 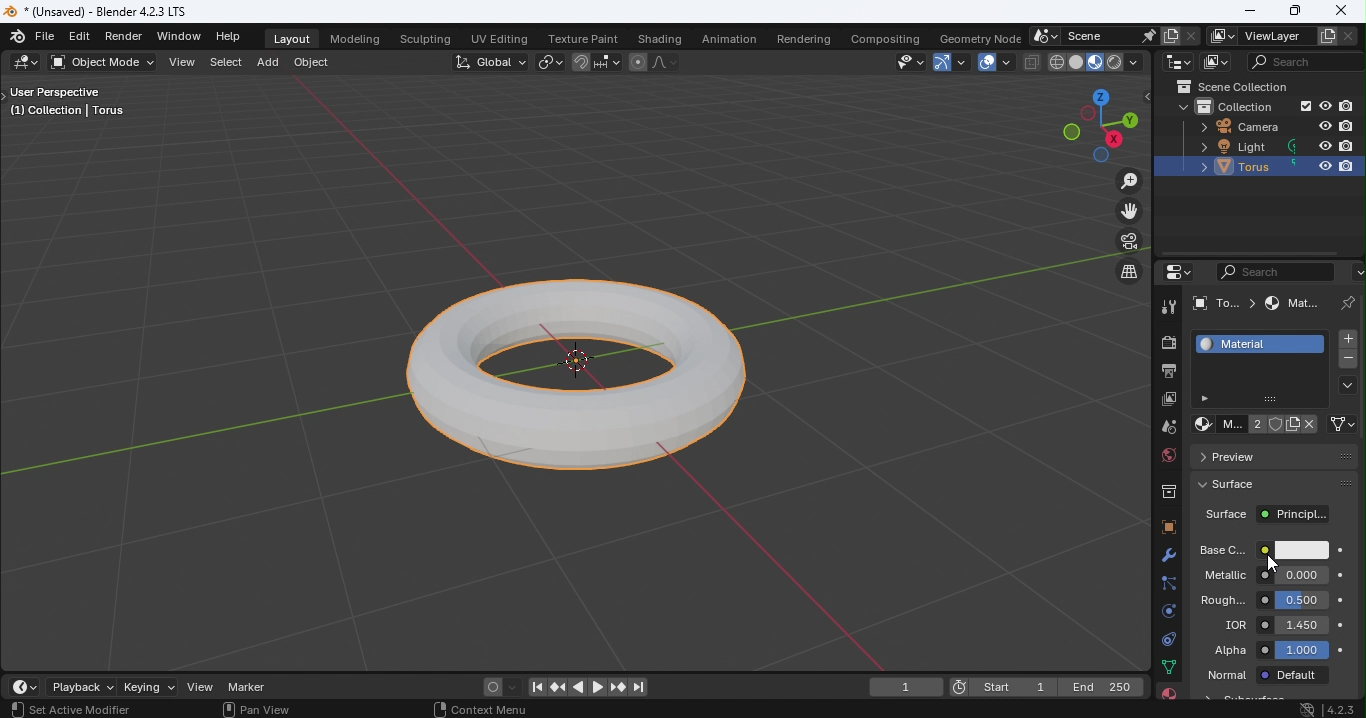 What do you see at coordinates (45, 36) in the screenshot?
I see `File` at bounding box center [45, 36].